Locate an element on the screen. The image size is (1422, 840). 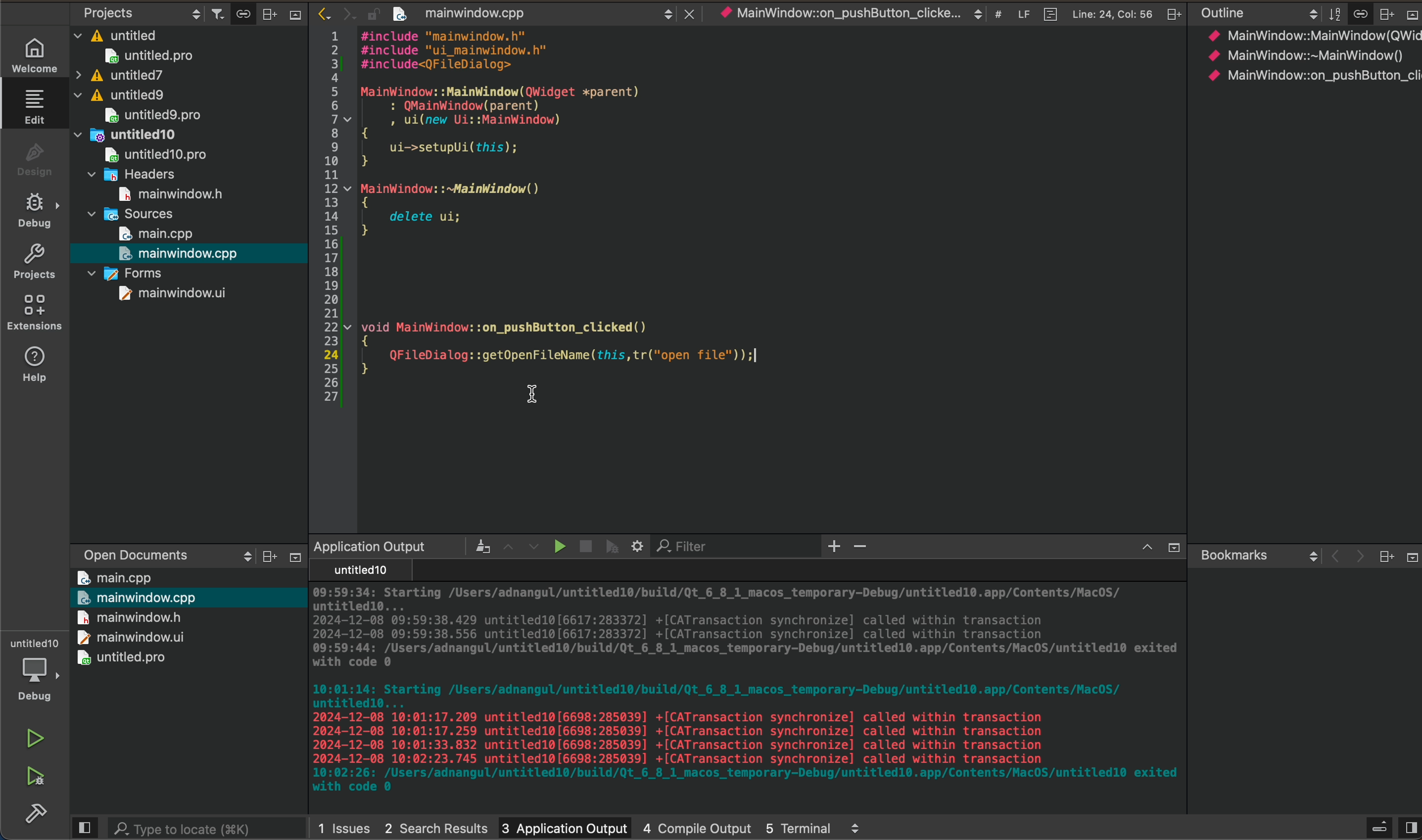
Type to locate is located at coordinates (185, 826).